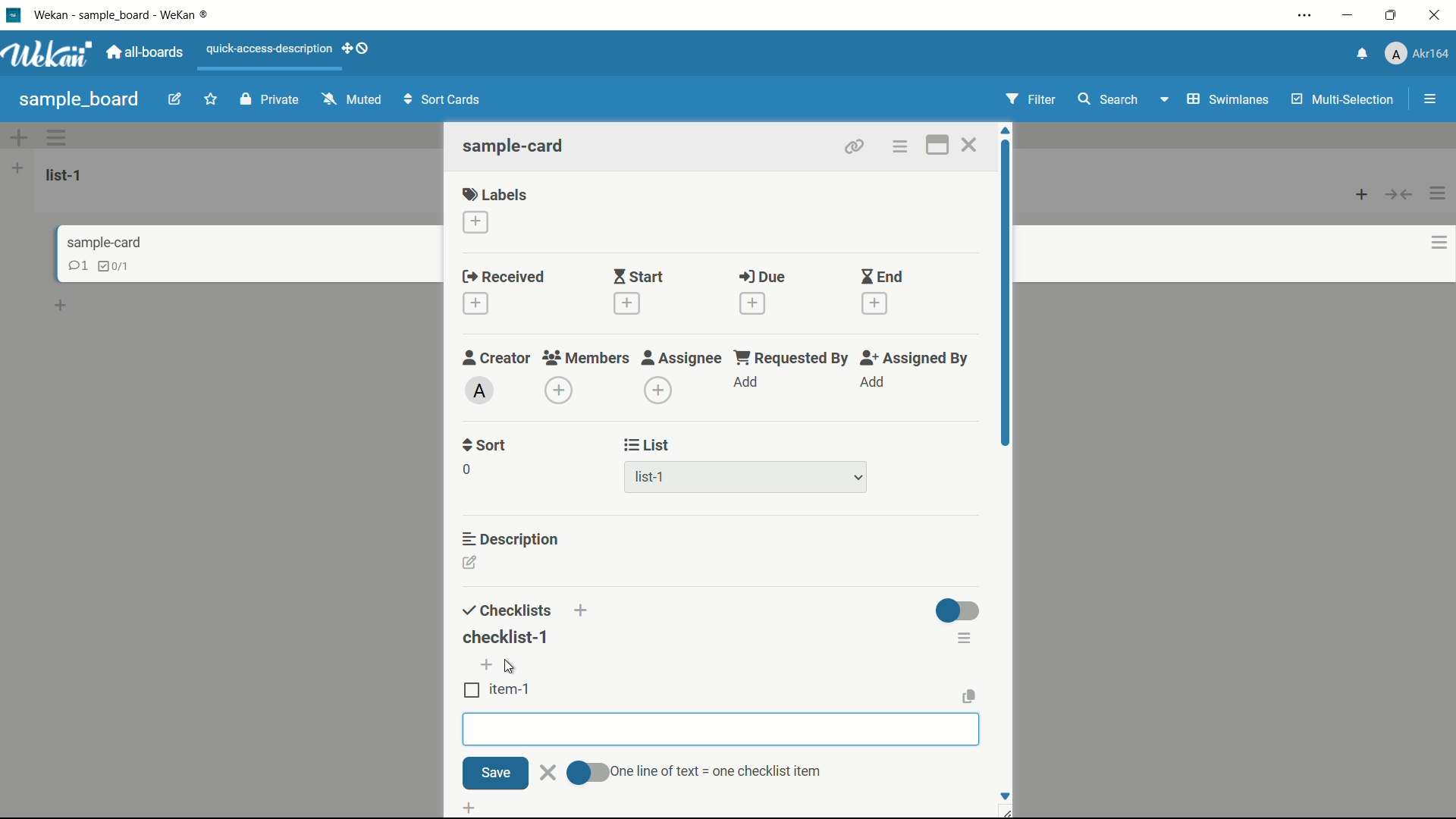  What do you see at coordinates (1005, 795) in the screenshot?
I see `Scroll down` at bounding box center [1005, 795].